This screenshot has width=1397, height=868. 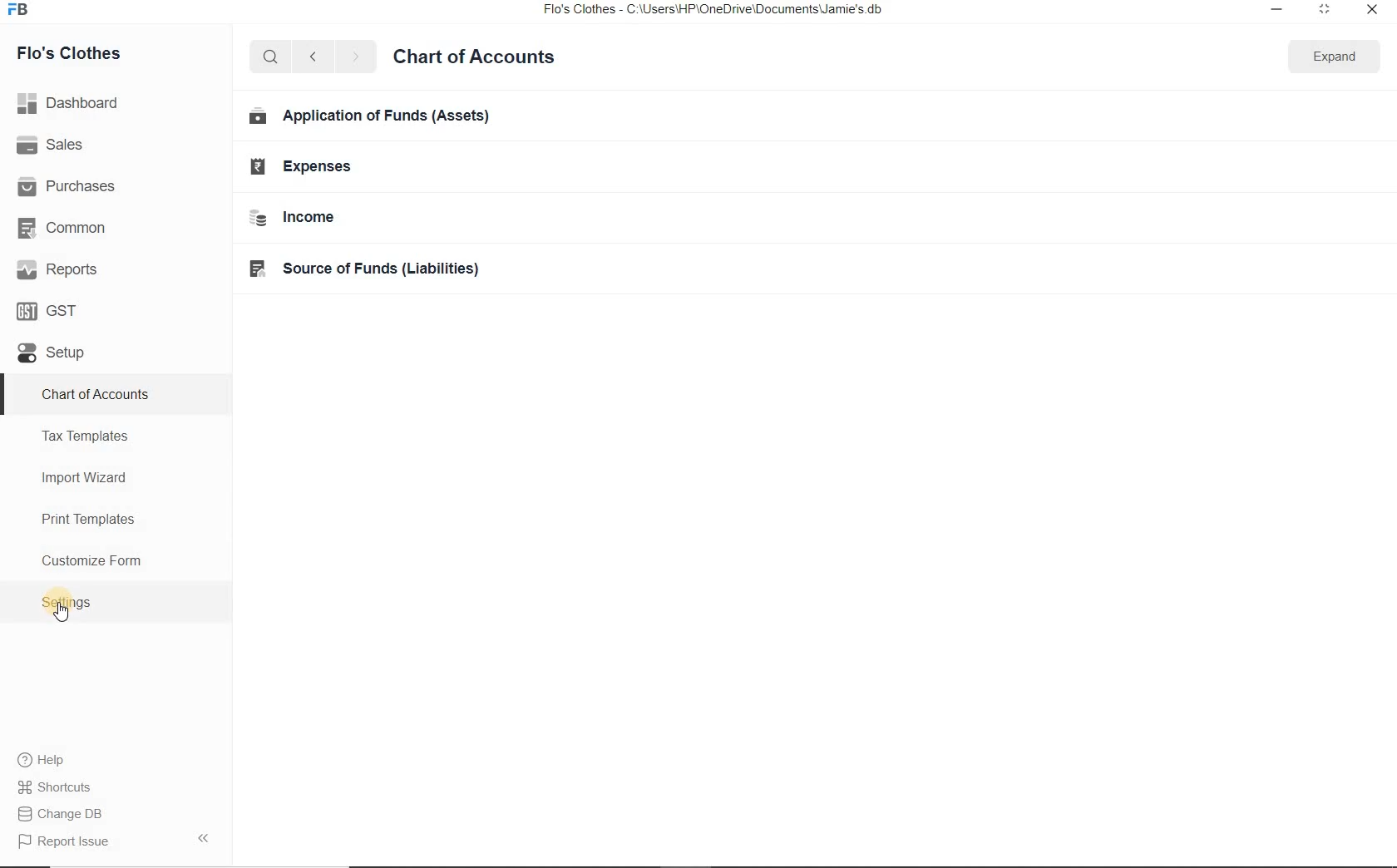 I want to click on icon, so click(x=23, y=14).